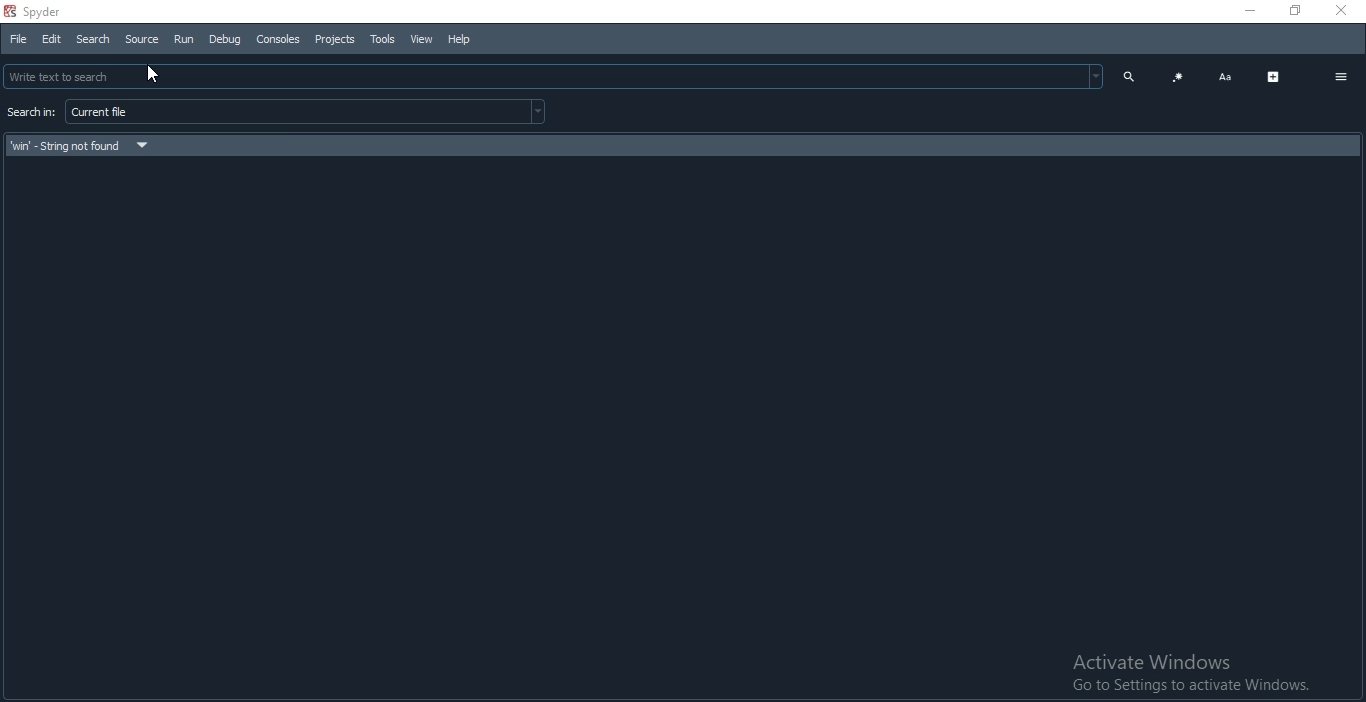  I want to click on Debug, so click(222, 39).